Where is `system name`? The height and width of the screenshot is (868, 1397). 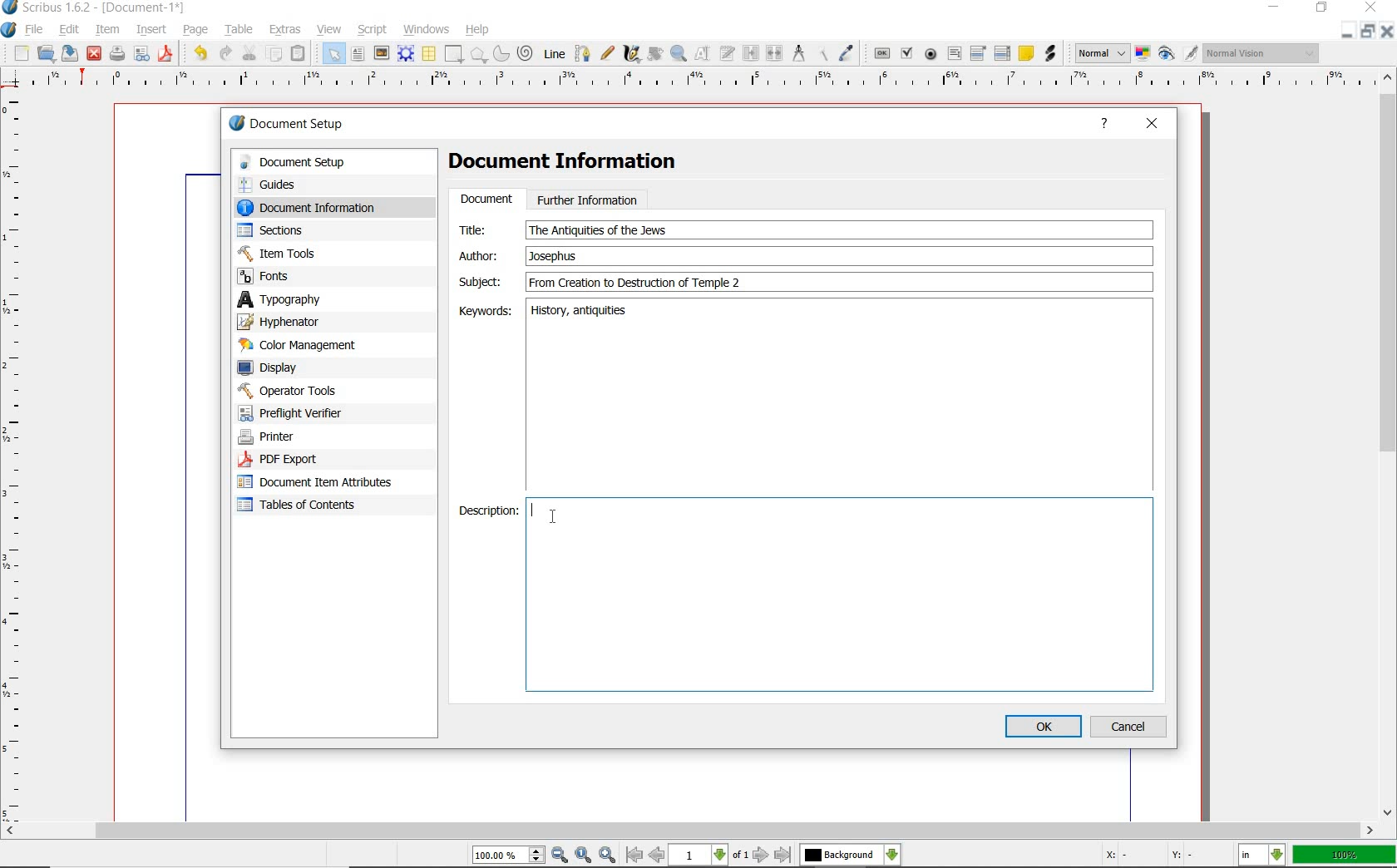 system name is located at coordinates (94, 8).